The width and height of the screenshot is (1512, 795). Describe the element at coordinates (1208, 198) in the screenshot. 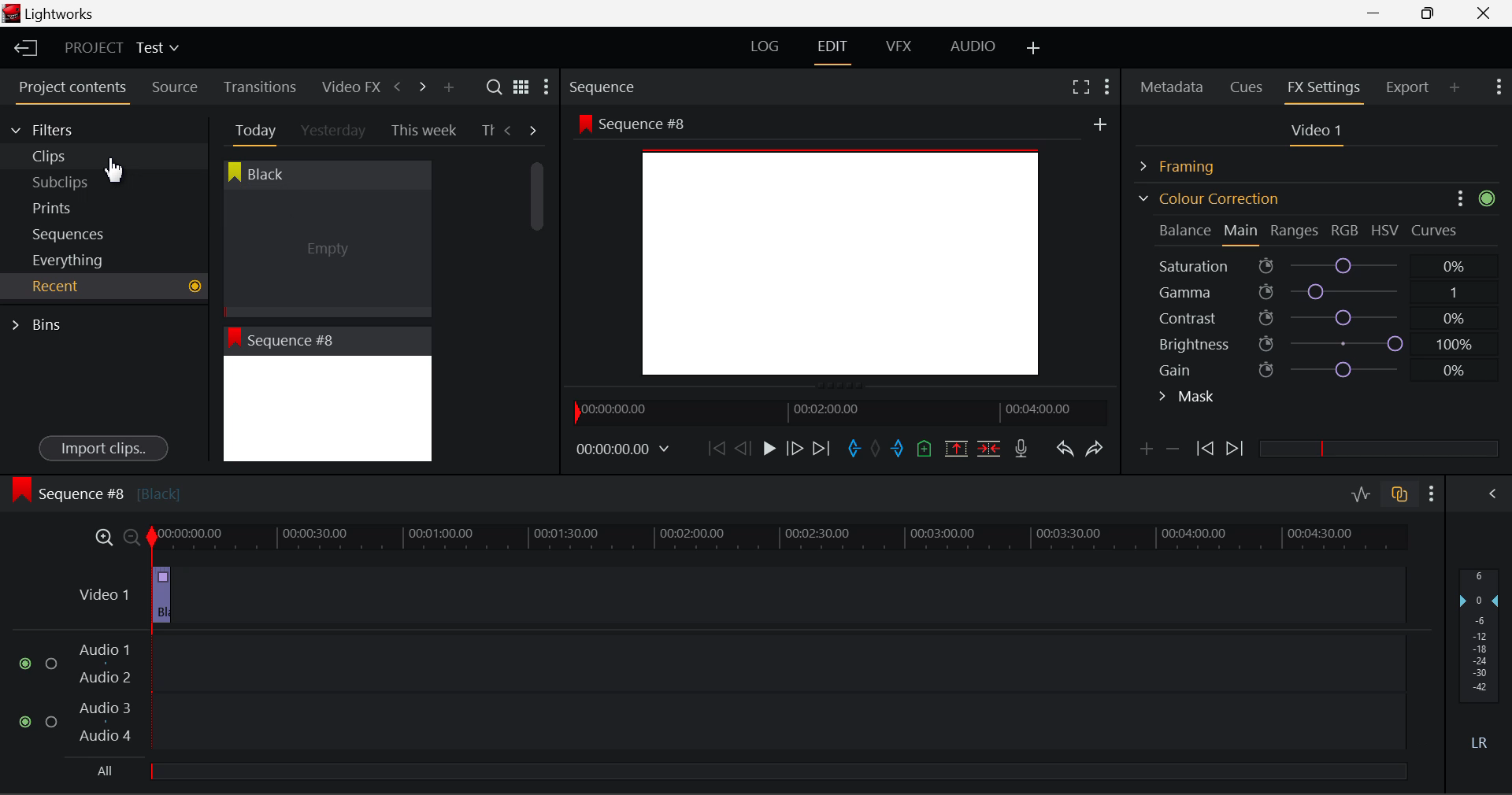

I see `Colour Correction` at that location.